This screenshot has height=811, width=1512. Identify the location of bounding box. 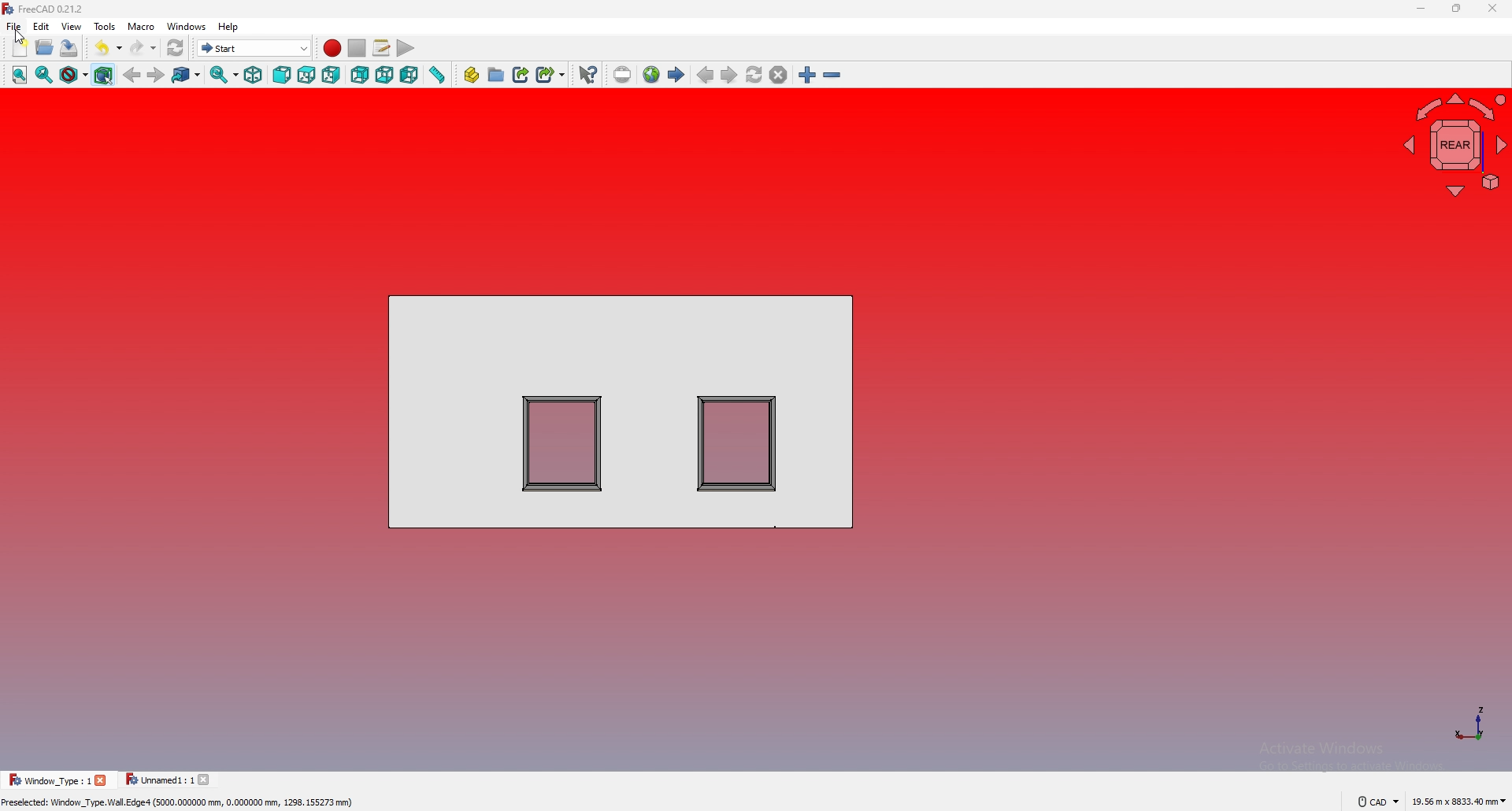
(103, 76).